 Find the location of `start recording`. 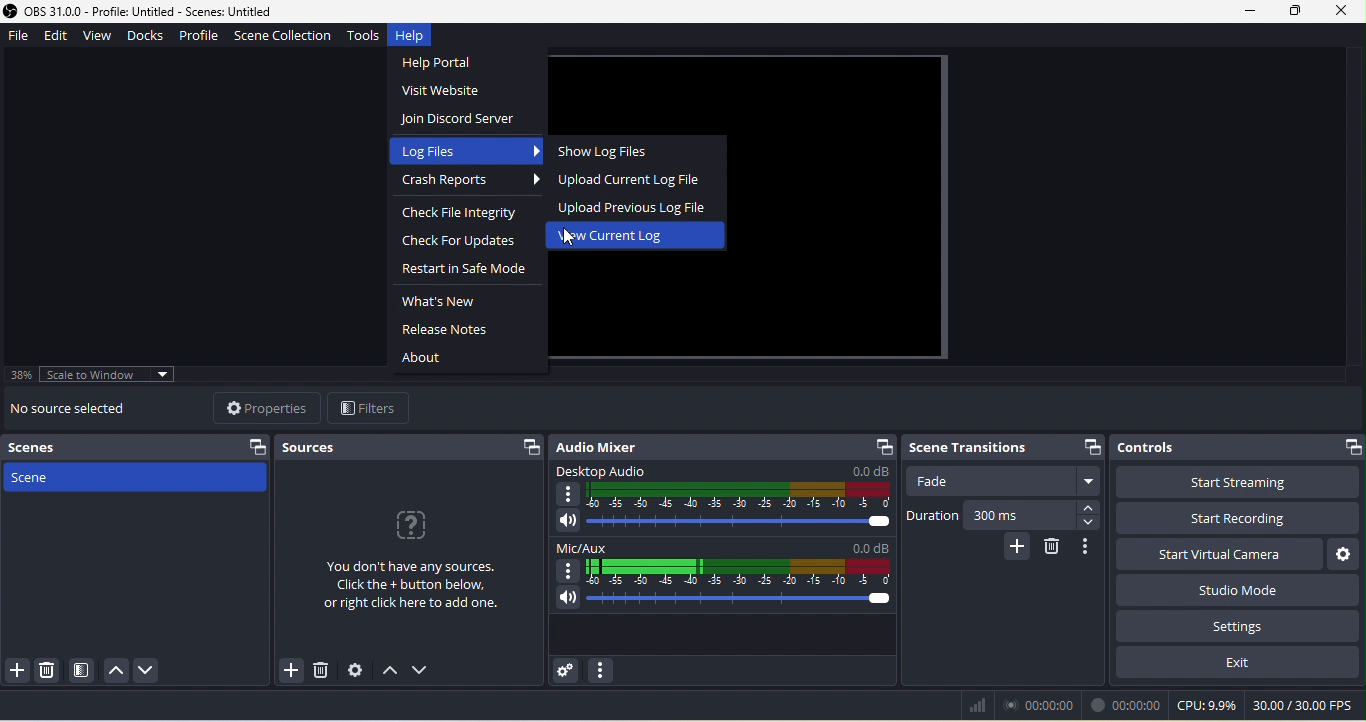

start recording is located at coordinates (1240, 519).